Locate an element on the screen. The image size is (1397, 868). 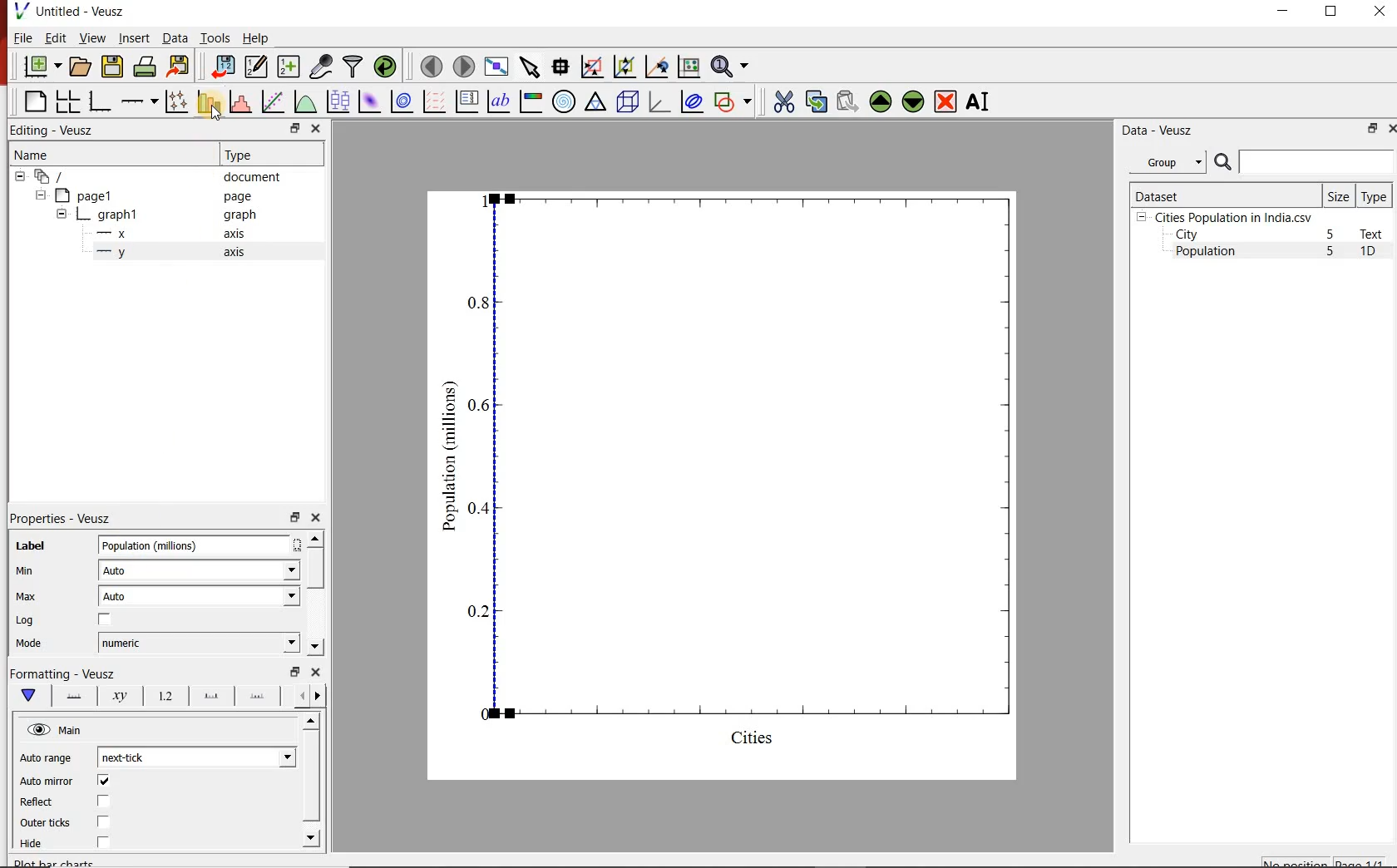
Min is located at coordinates (25, 571).